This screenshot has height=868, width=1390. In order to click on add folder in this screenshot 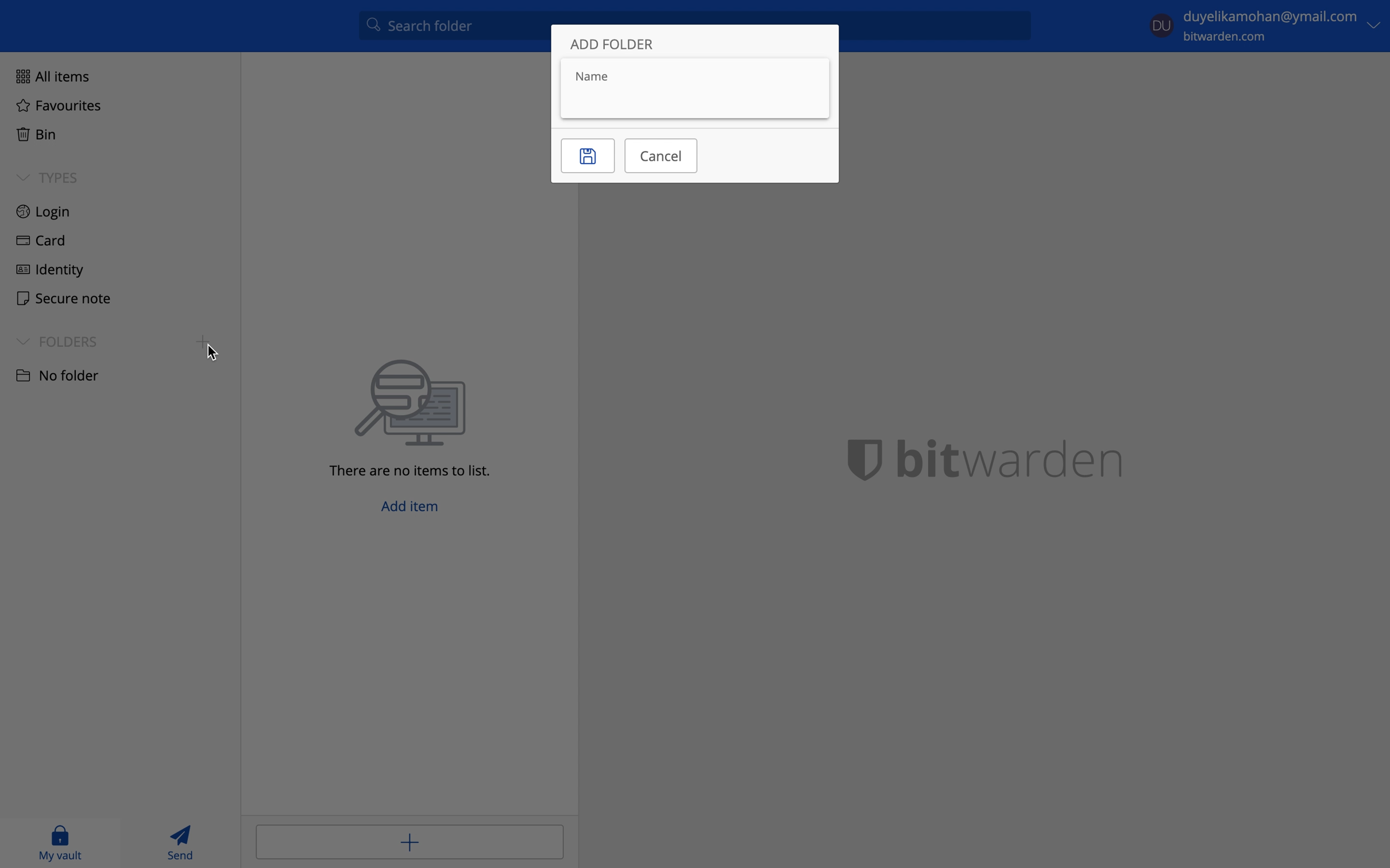, I will do `click(614, 45)`.